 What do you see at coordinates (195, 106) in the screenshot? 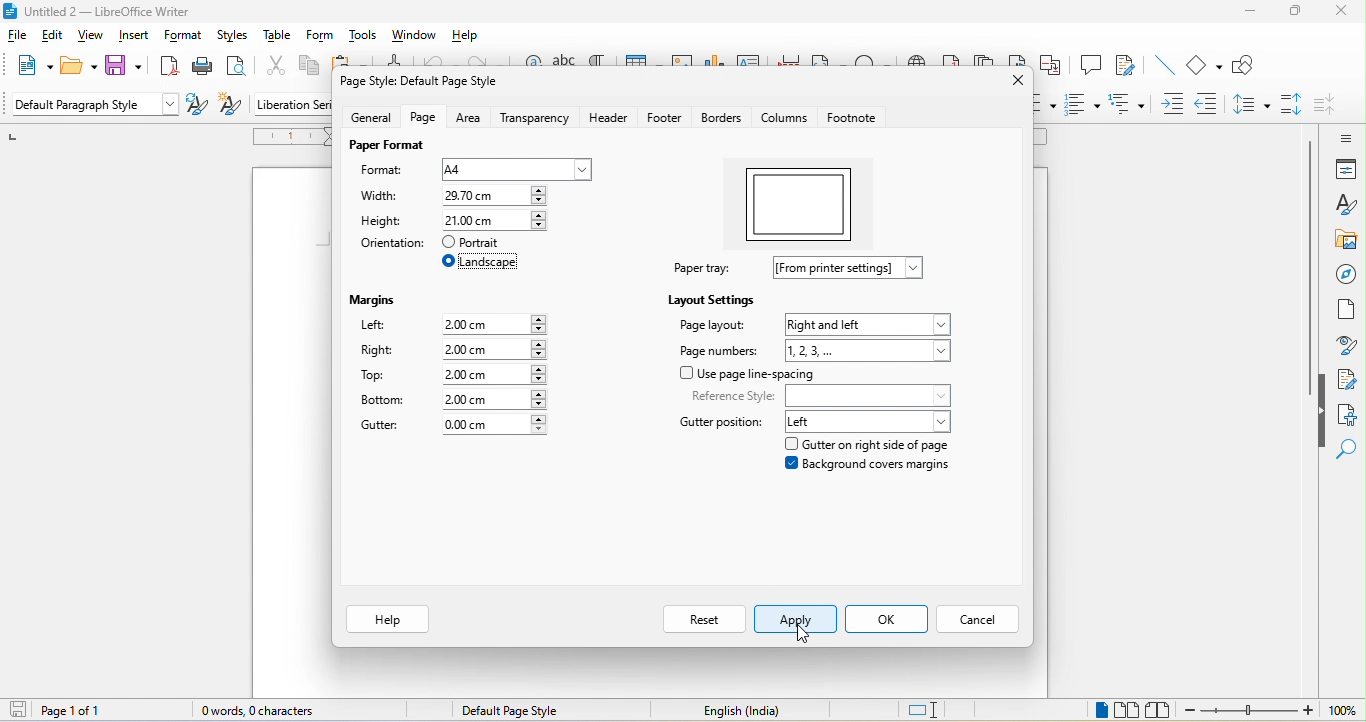
I see `update selected style` at bounding box center [195, 106].